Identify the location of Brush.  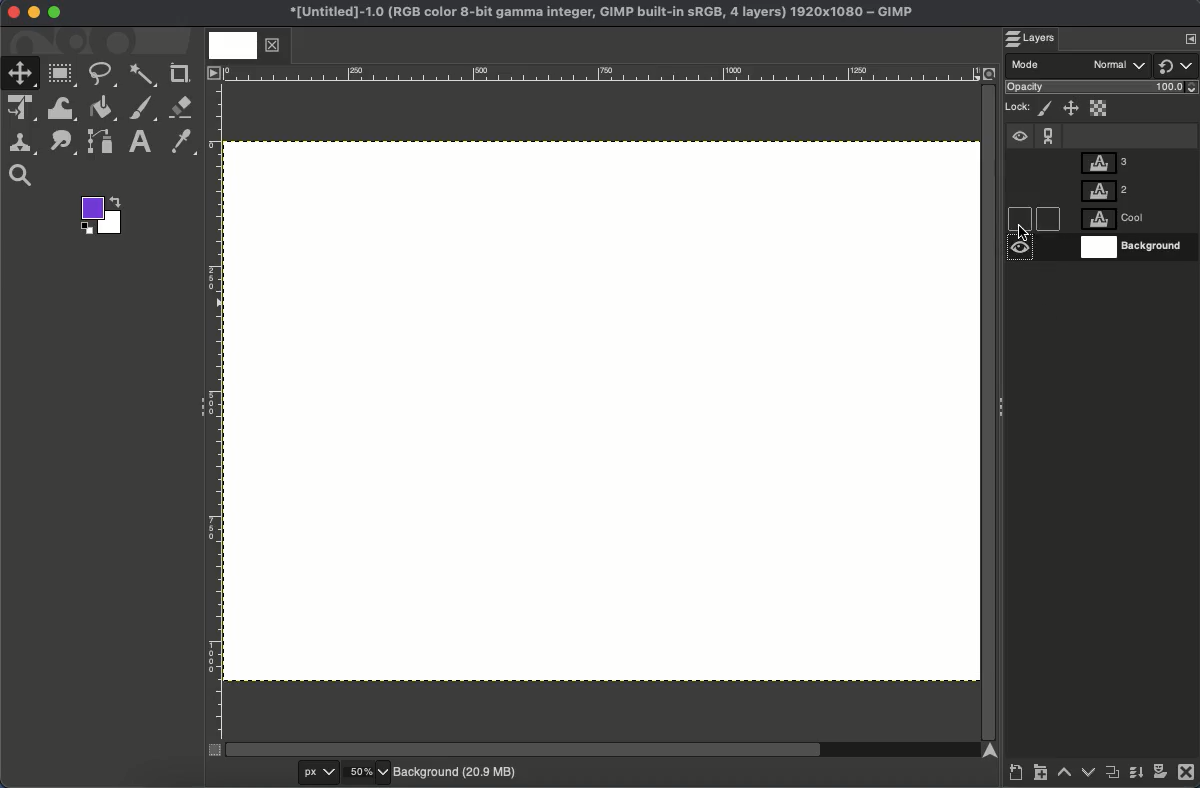
(143, 109).